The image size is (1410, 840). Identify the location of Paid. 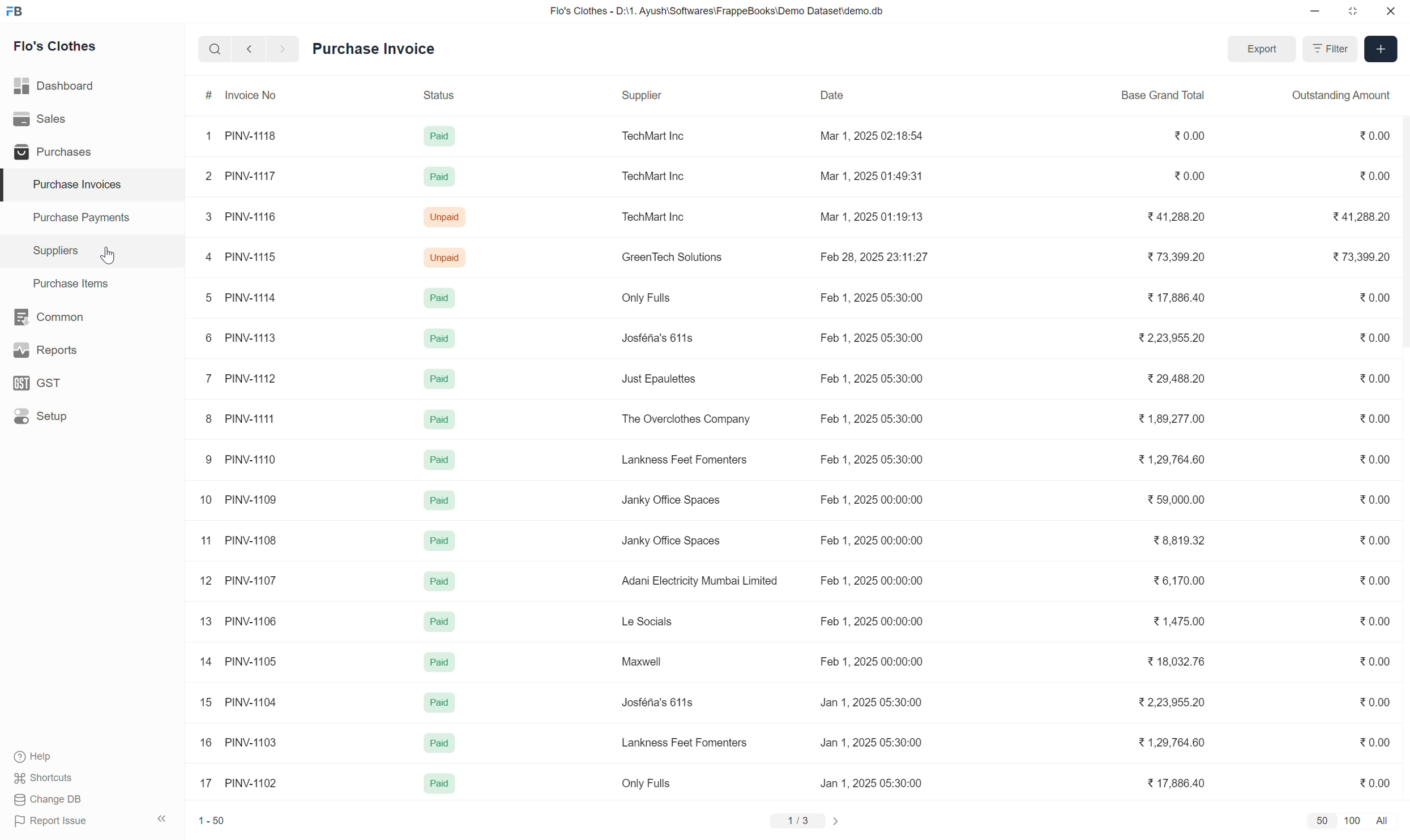
(439, 134).